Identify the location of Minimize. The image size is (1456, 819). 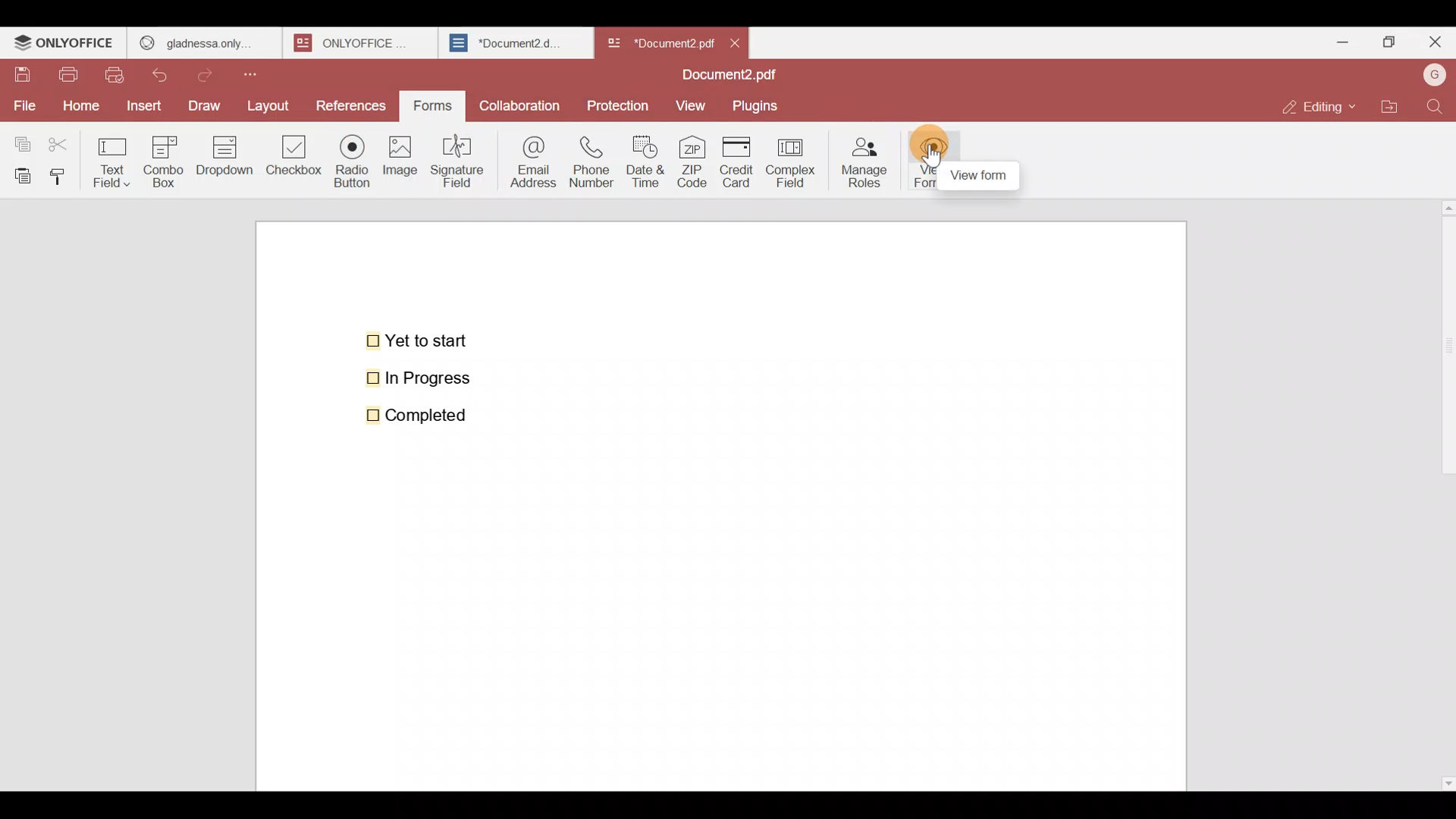
(1336, 39).